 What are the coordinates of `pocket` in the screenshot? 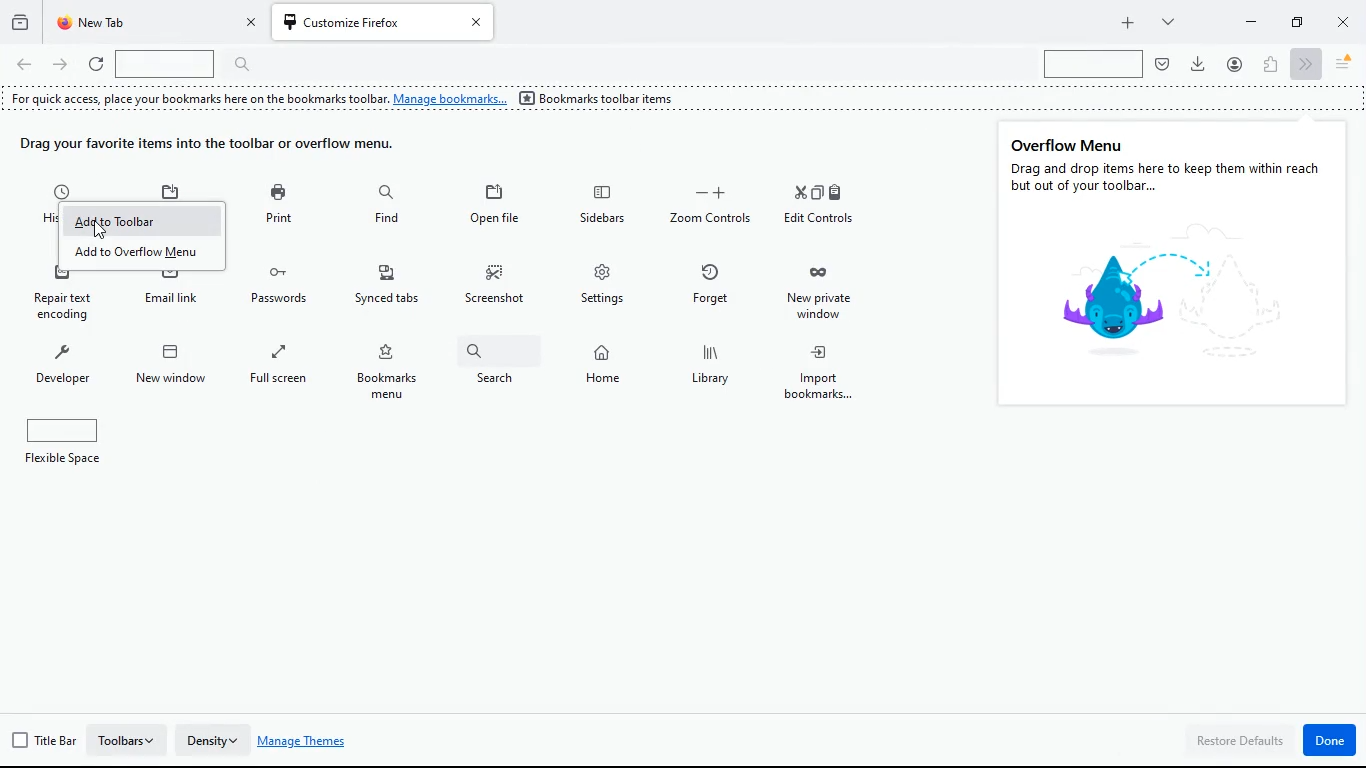 It's located at (1163, 64).